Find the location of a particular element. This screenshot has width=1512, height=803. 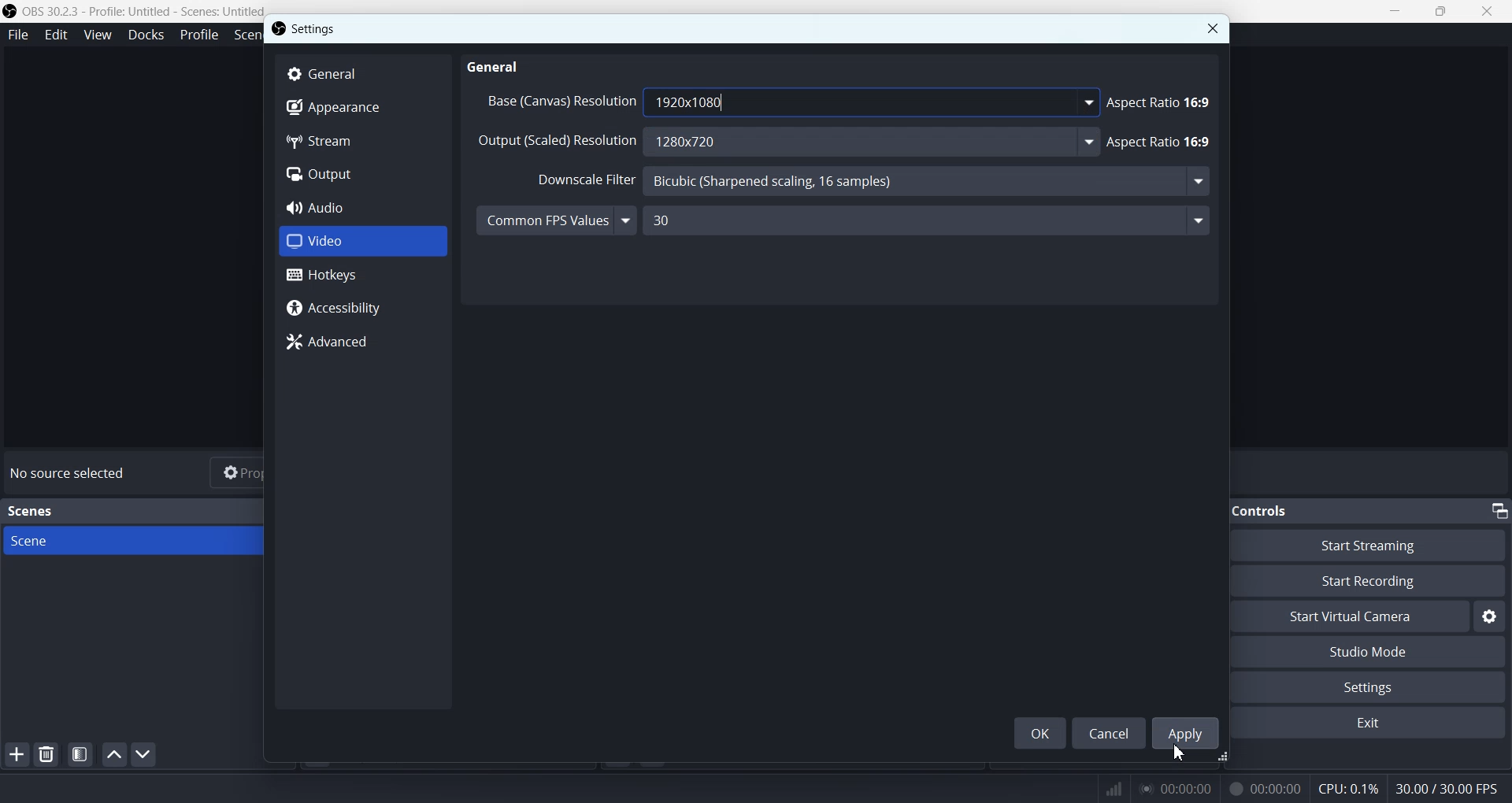

Hotkeys is located at coordinates (363, 275).